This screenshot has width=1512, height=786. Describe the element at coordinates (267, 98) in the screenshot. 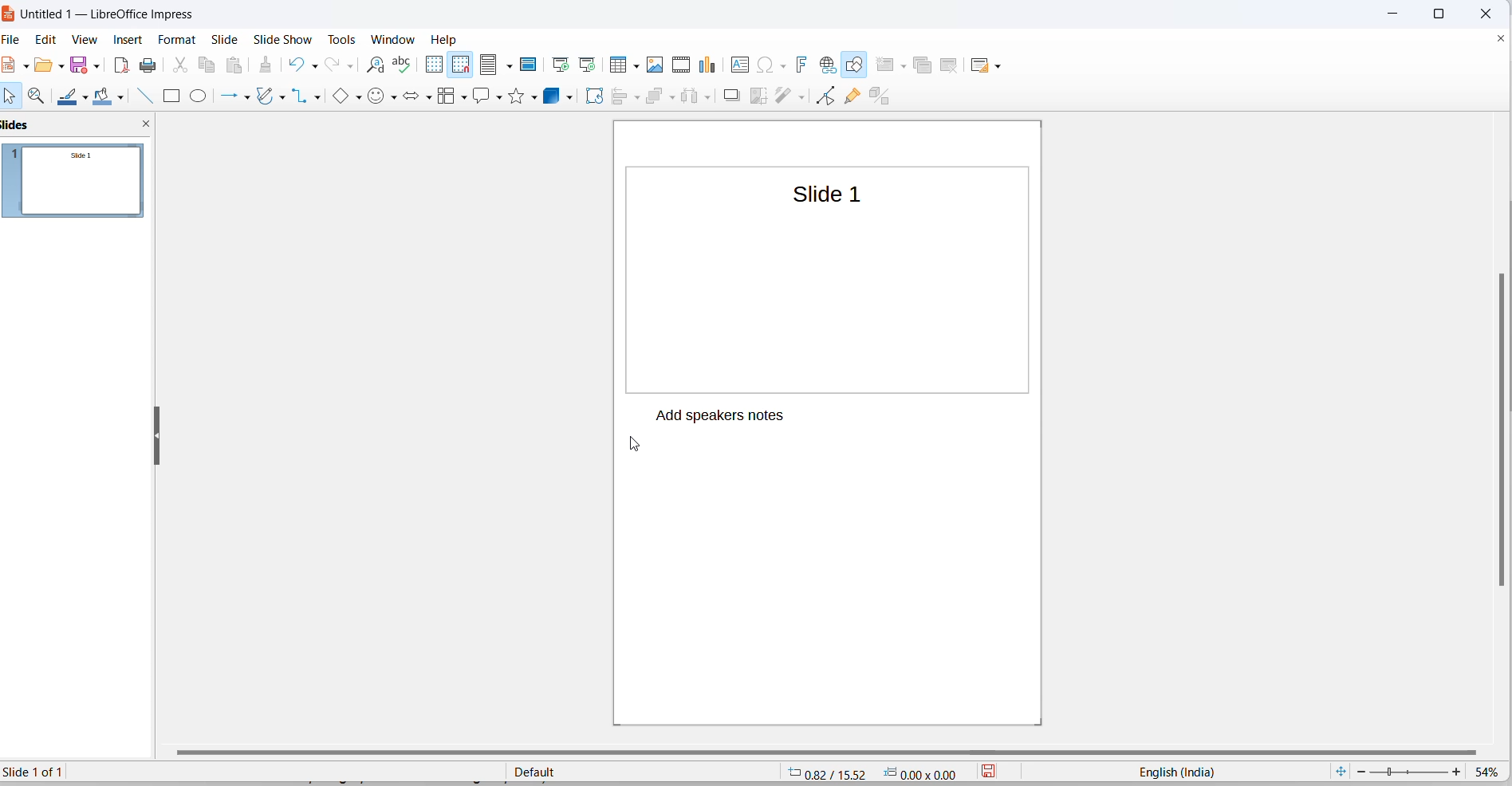

I see `curves and polygons` at that location.